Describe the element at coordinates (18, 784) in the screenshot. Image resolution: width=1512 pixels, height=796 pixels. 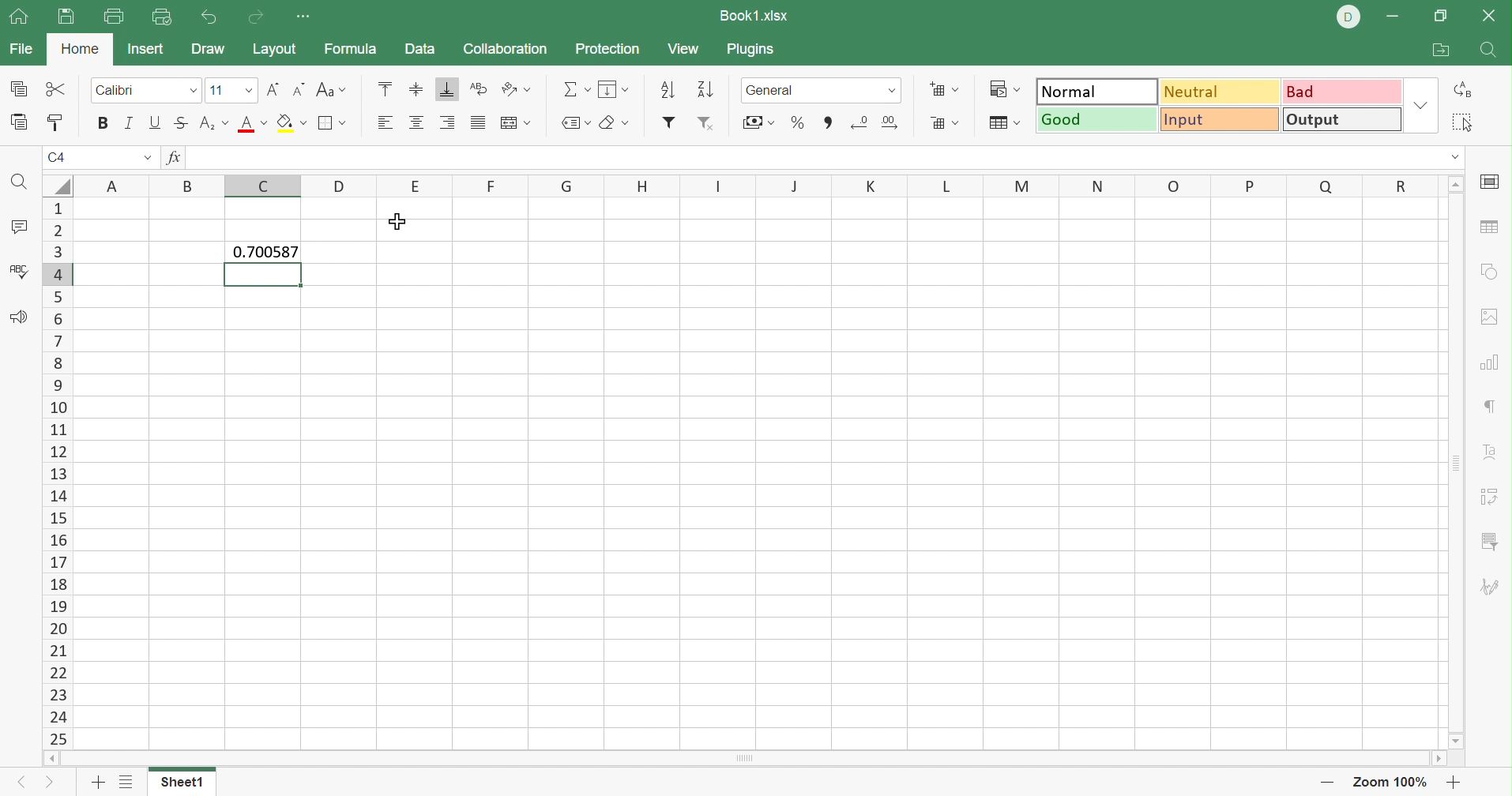
I see `Previous` at that location.